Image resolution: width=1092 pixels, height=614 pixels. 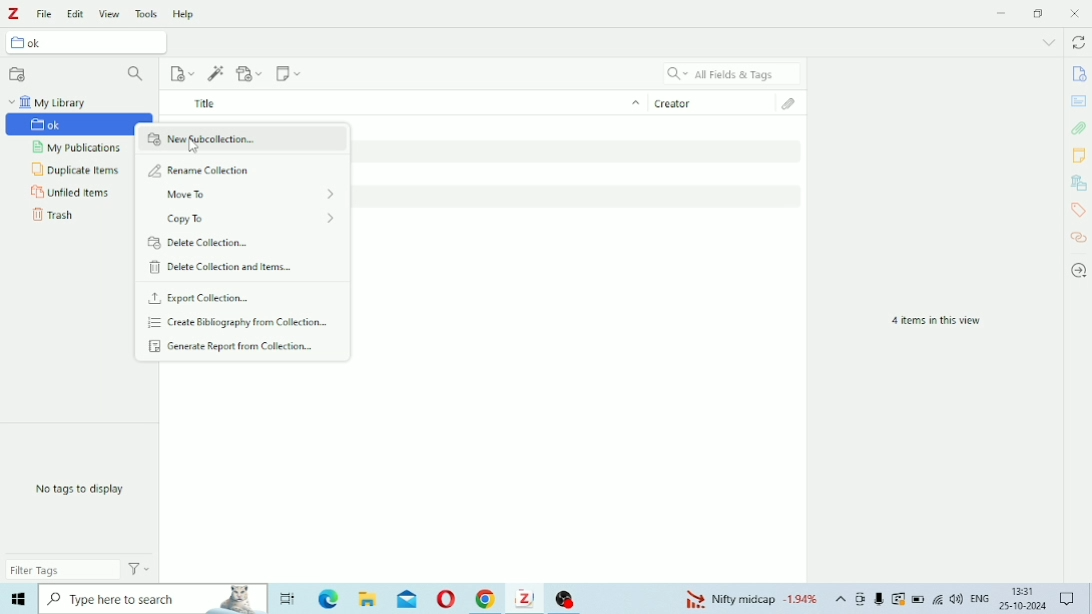 I want to click on Filter Collections, so click(x=138, y=75).